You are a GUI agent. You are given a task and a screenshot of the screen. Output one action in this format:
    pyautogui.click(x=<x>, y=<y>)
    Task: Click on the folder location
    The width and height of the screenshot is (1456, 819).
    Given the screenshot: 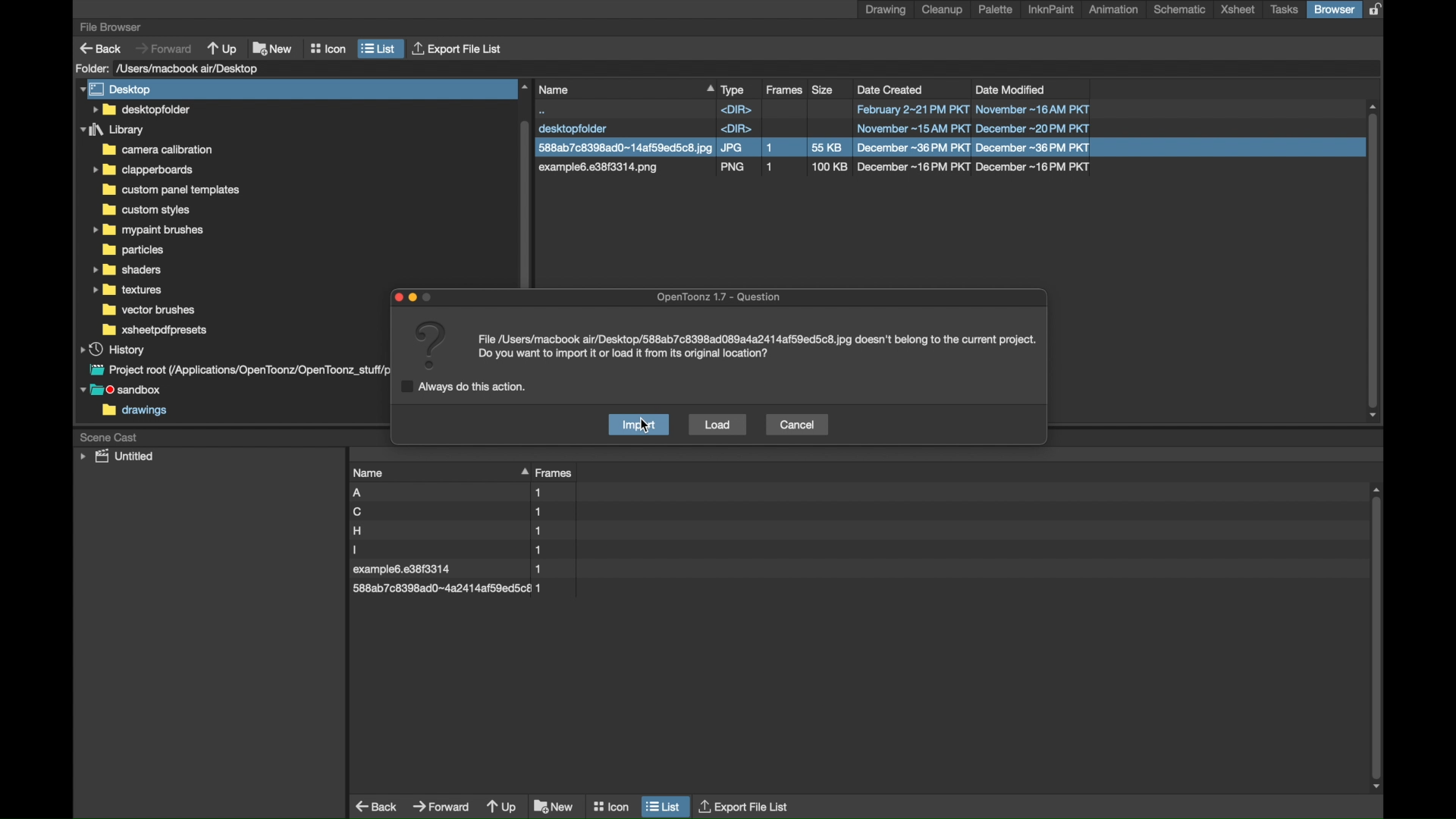 What is the action you would take?
    pyautogui.click(x=190, y=68)
    